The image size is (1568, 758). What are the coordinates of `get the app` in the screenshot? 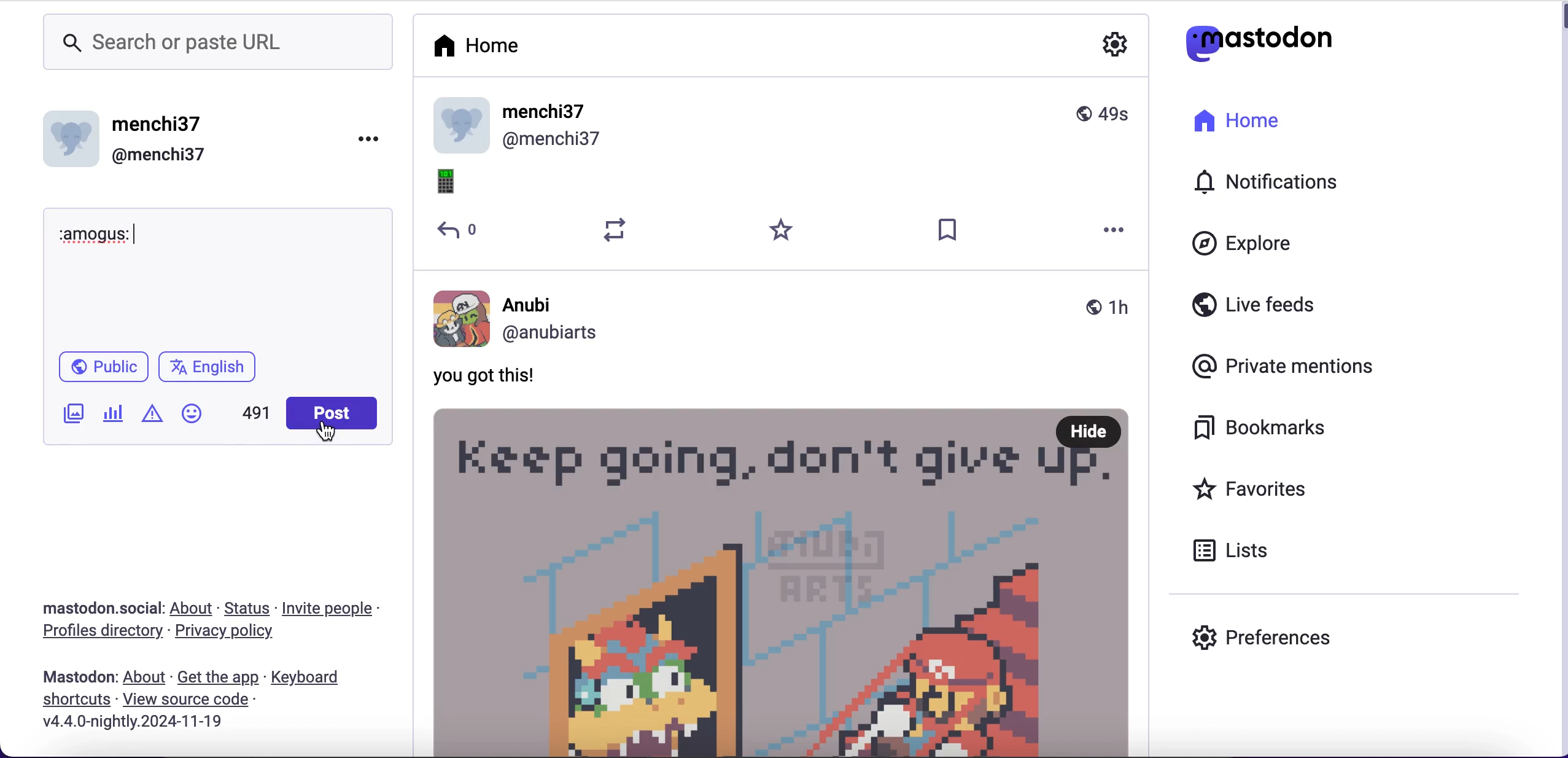 It's located at (220, 679).